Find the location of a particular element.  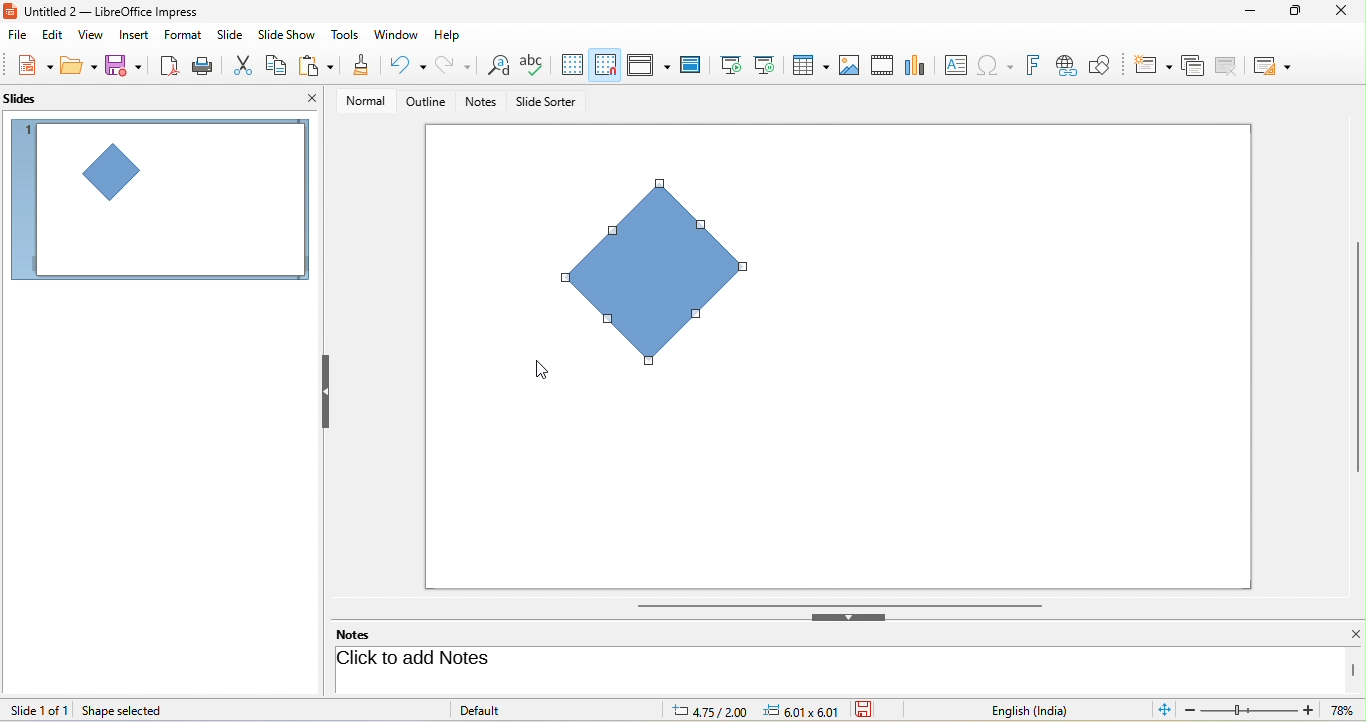

delete slide is located at coordinates (1232, 66).